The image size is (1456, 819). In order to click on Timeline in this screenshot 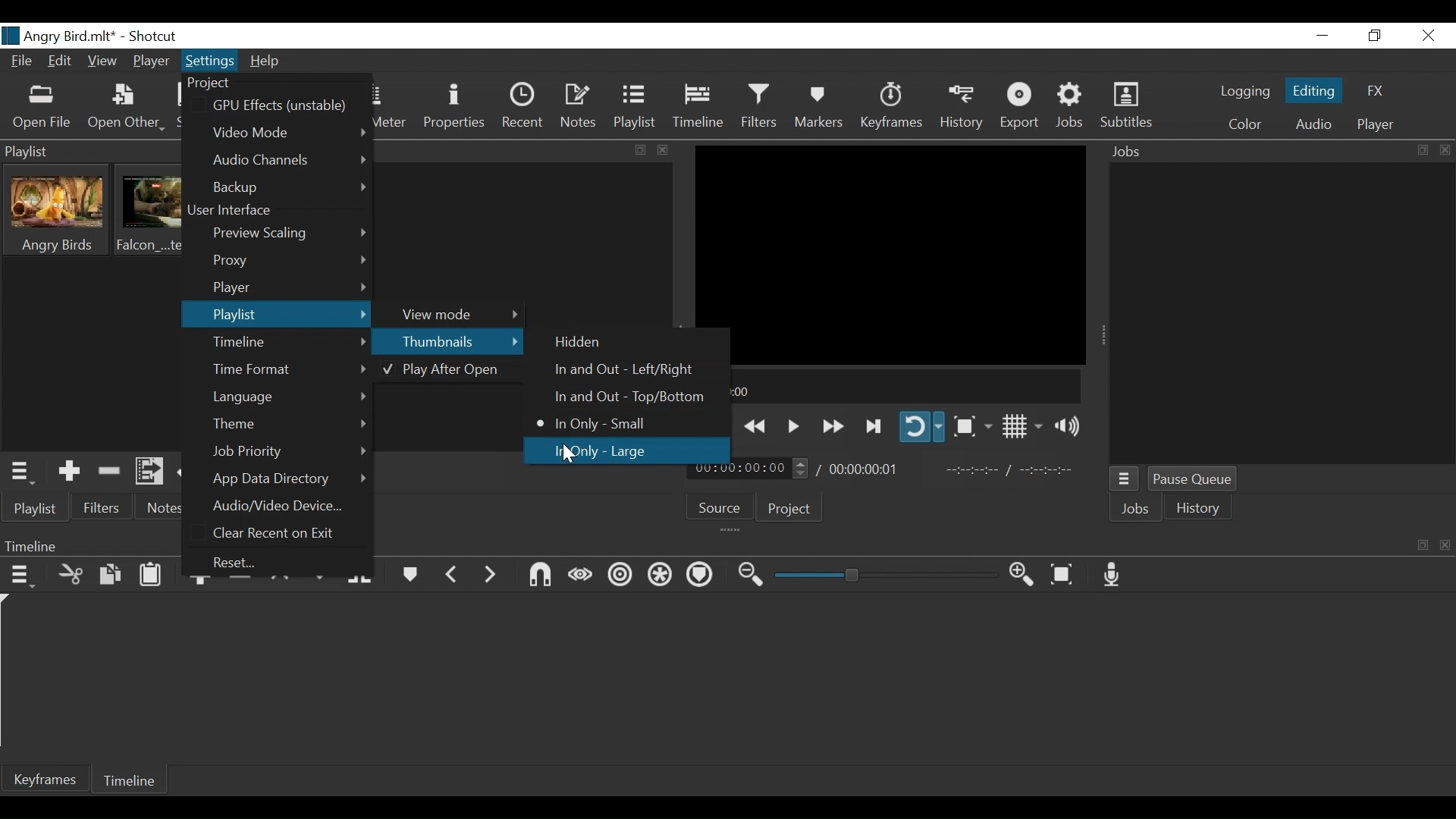, I will do `click(890, 386)`.